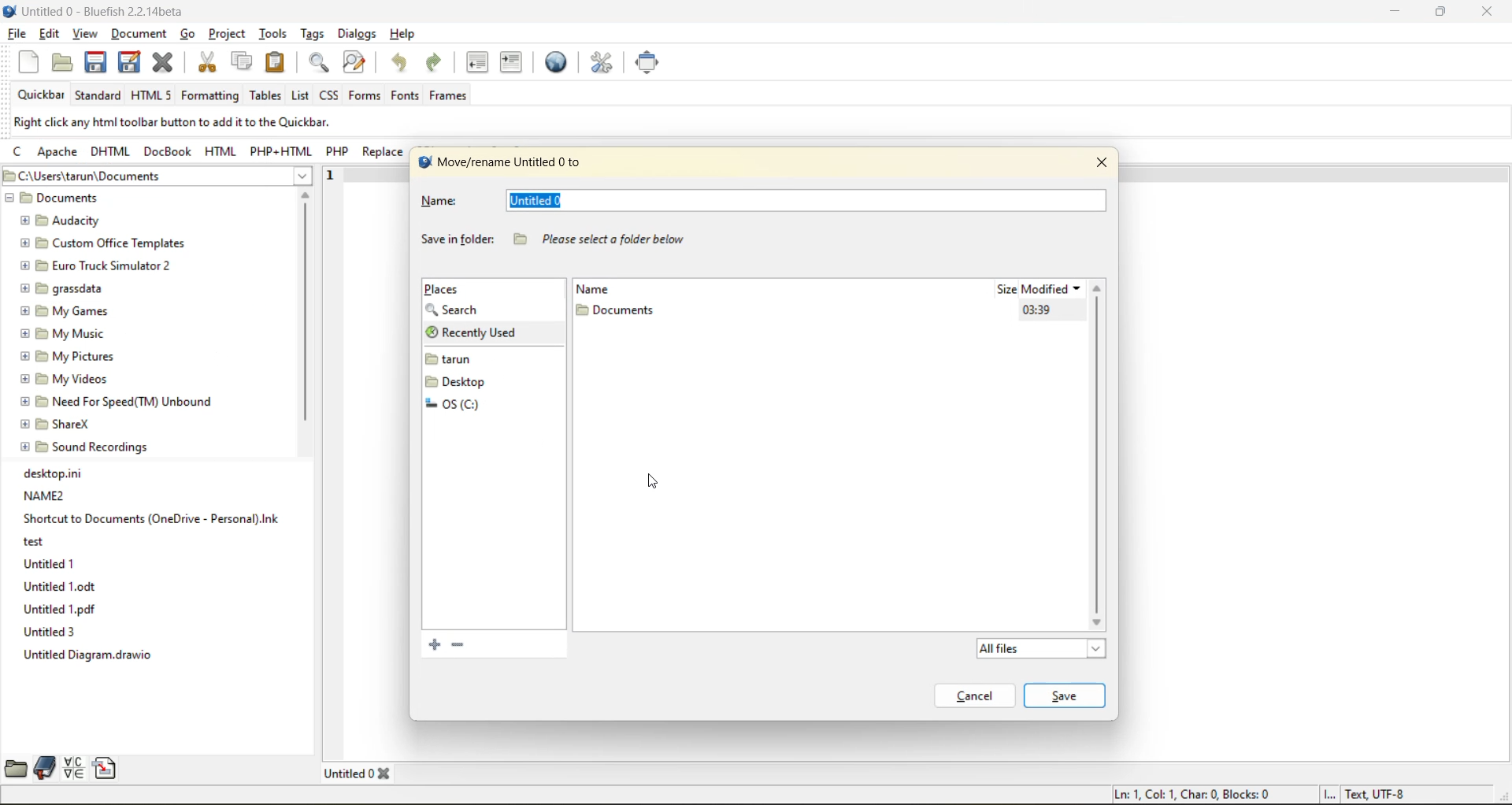 The height and width of the screenshot is (805, 1512). Describe the element at coordinates (17, 154) in the screenshot. I see `c` at that location.